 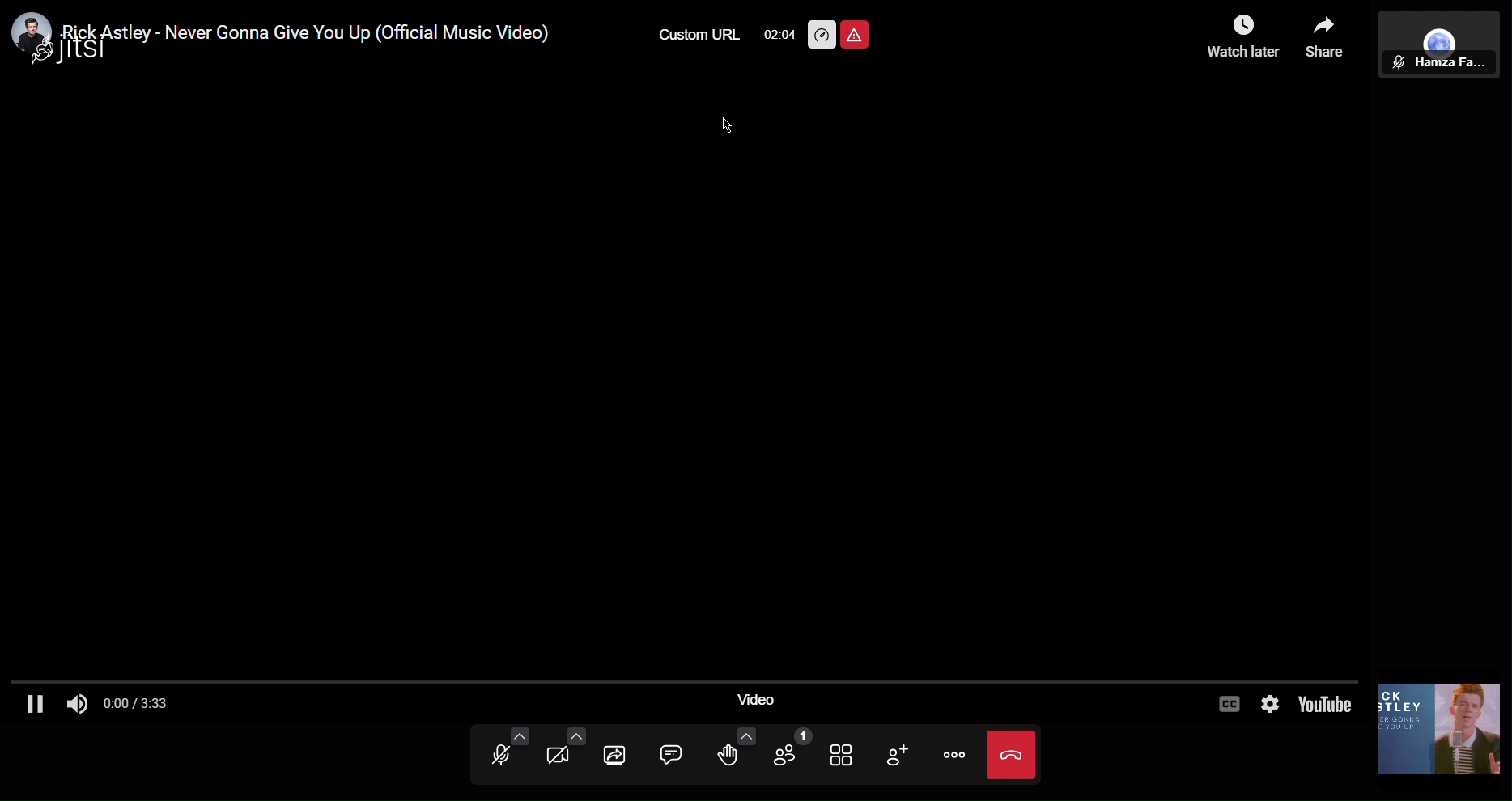 What do you see at coordinates (1441, 43) in the screenshot?
I see `Participant View` at bounding box center [1441, 43].